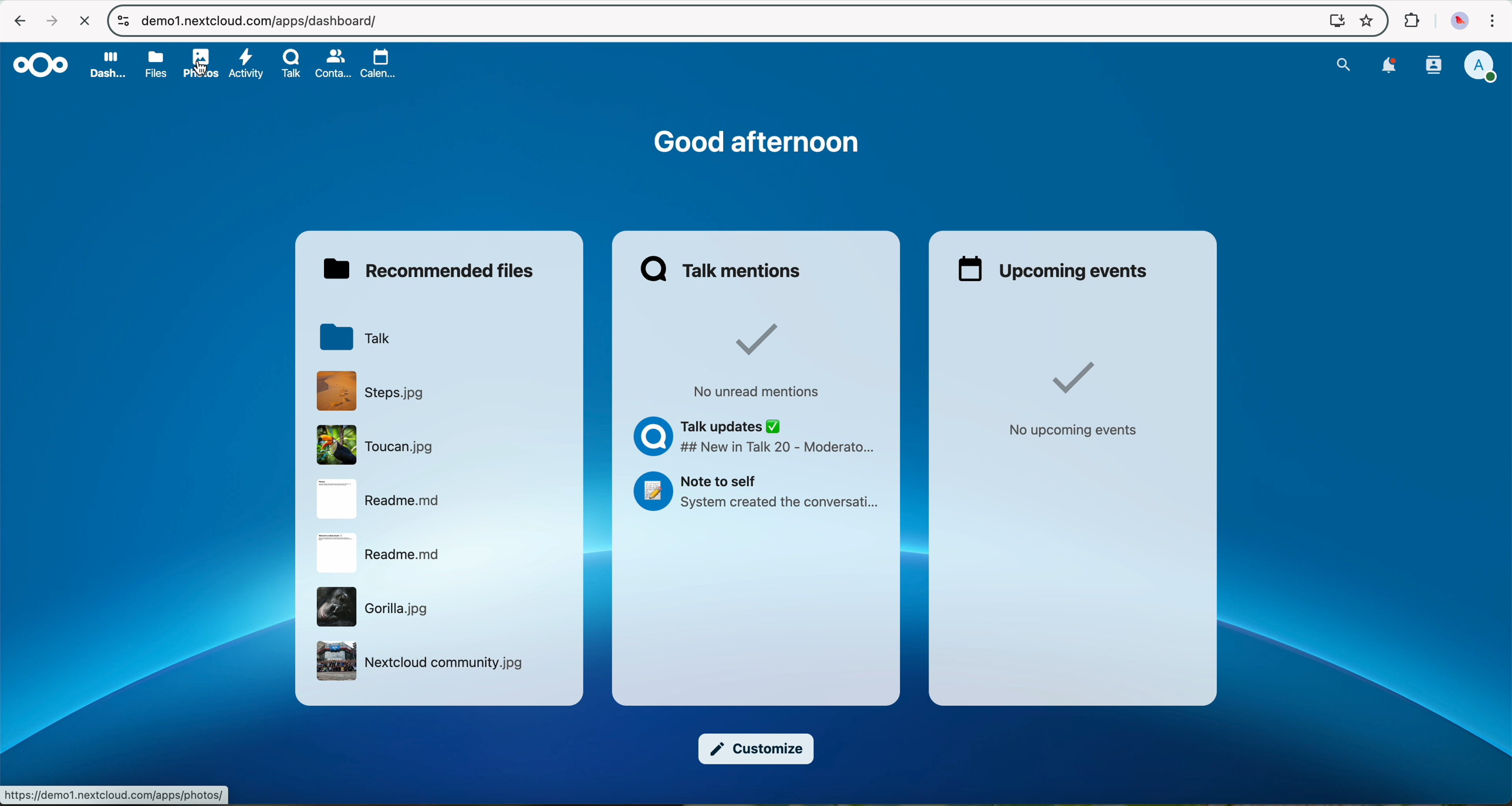 The image size is (1512, 806). I want to click on profile, so click(1480, 67).